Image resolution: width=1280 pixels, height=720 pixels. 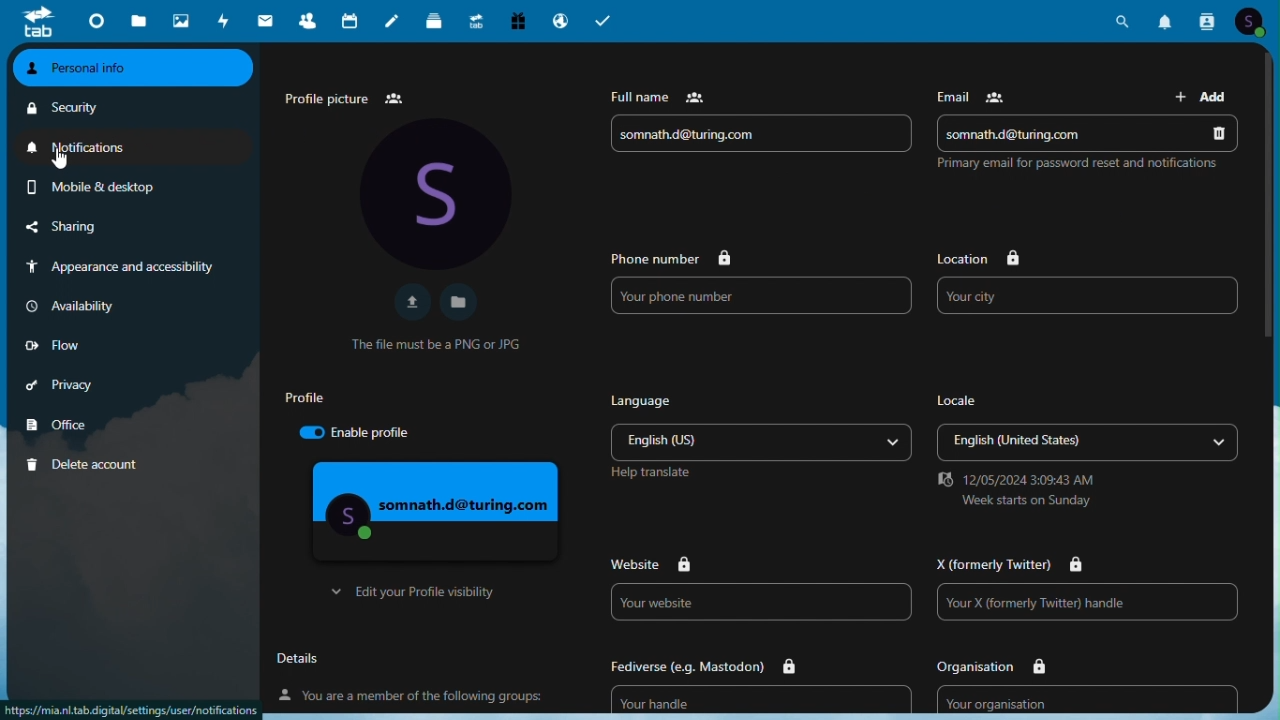 What do you see at coordinates (762, 97) in the screenshot?
I see `Full name` at bounding box center [762, 97].